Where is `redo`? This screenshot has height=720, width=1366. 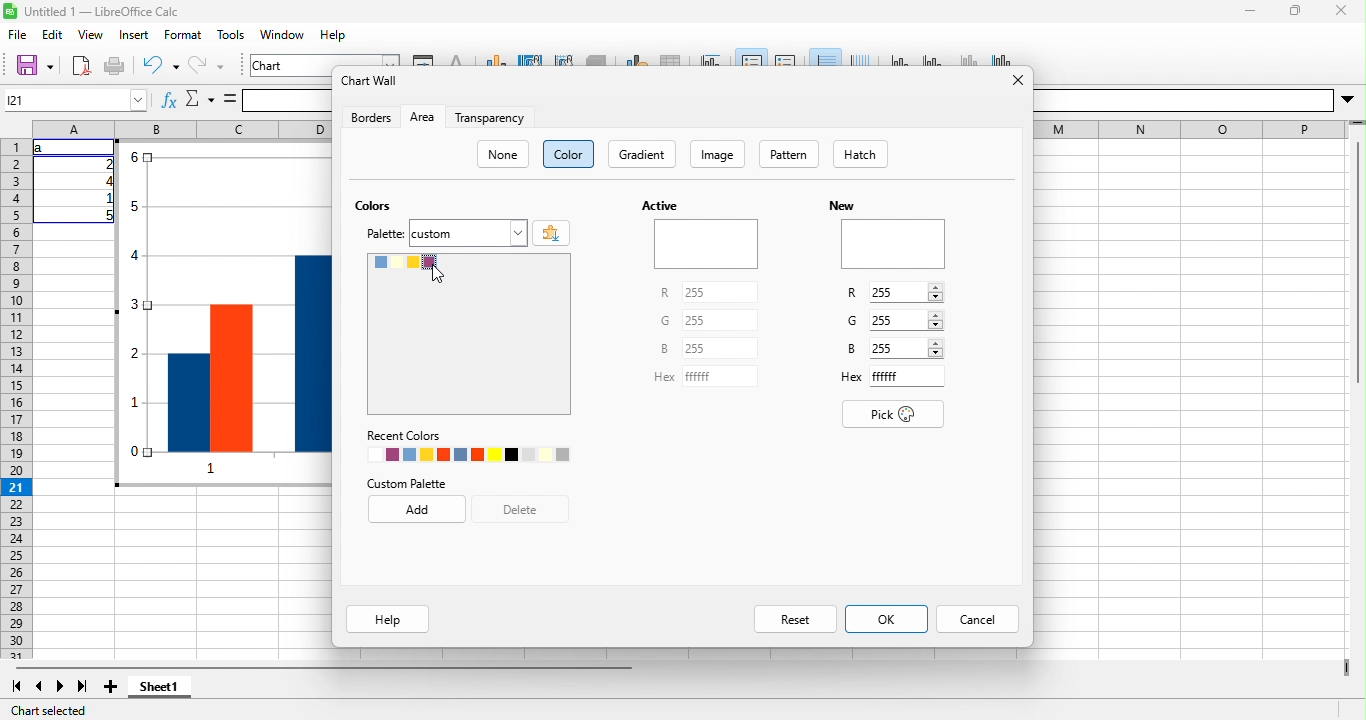
redo is located at coordinates (206, 66).